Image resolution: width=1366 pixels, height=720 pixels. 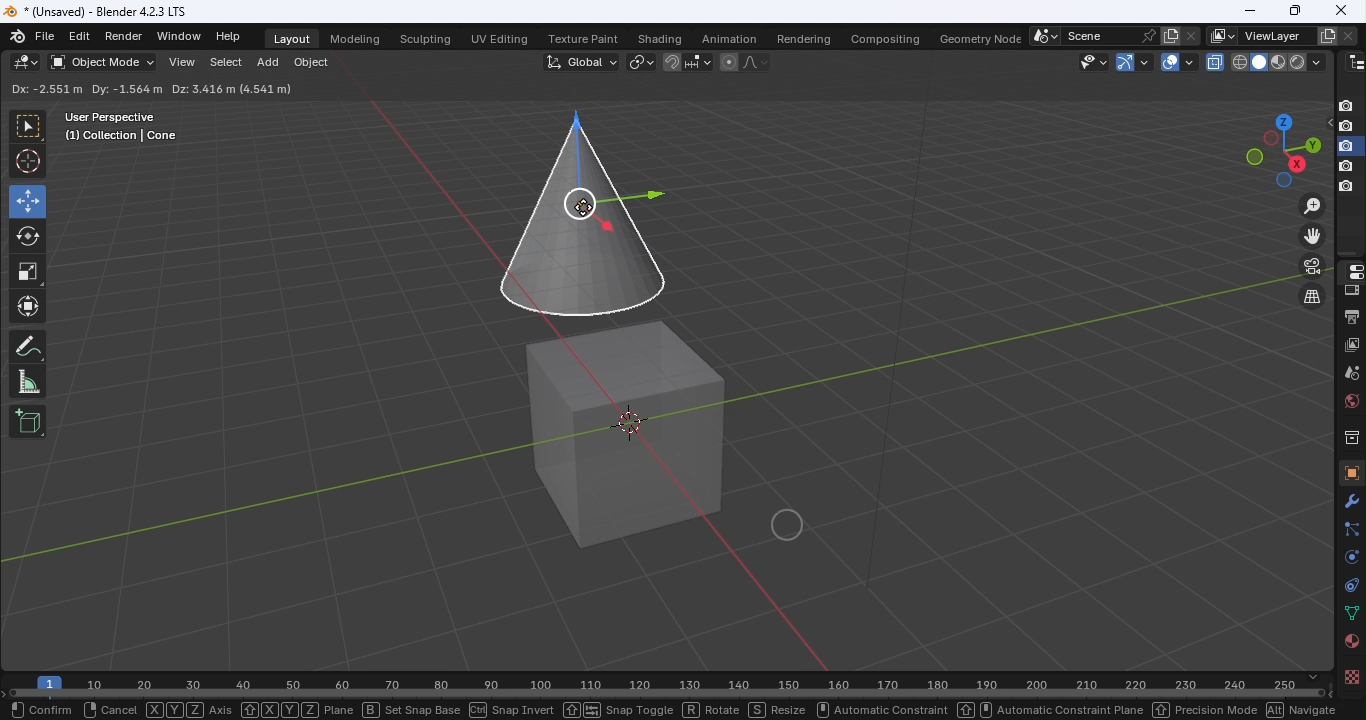 I want to click on UV editing, so click(x=503, y=36).